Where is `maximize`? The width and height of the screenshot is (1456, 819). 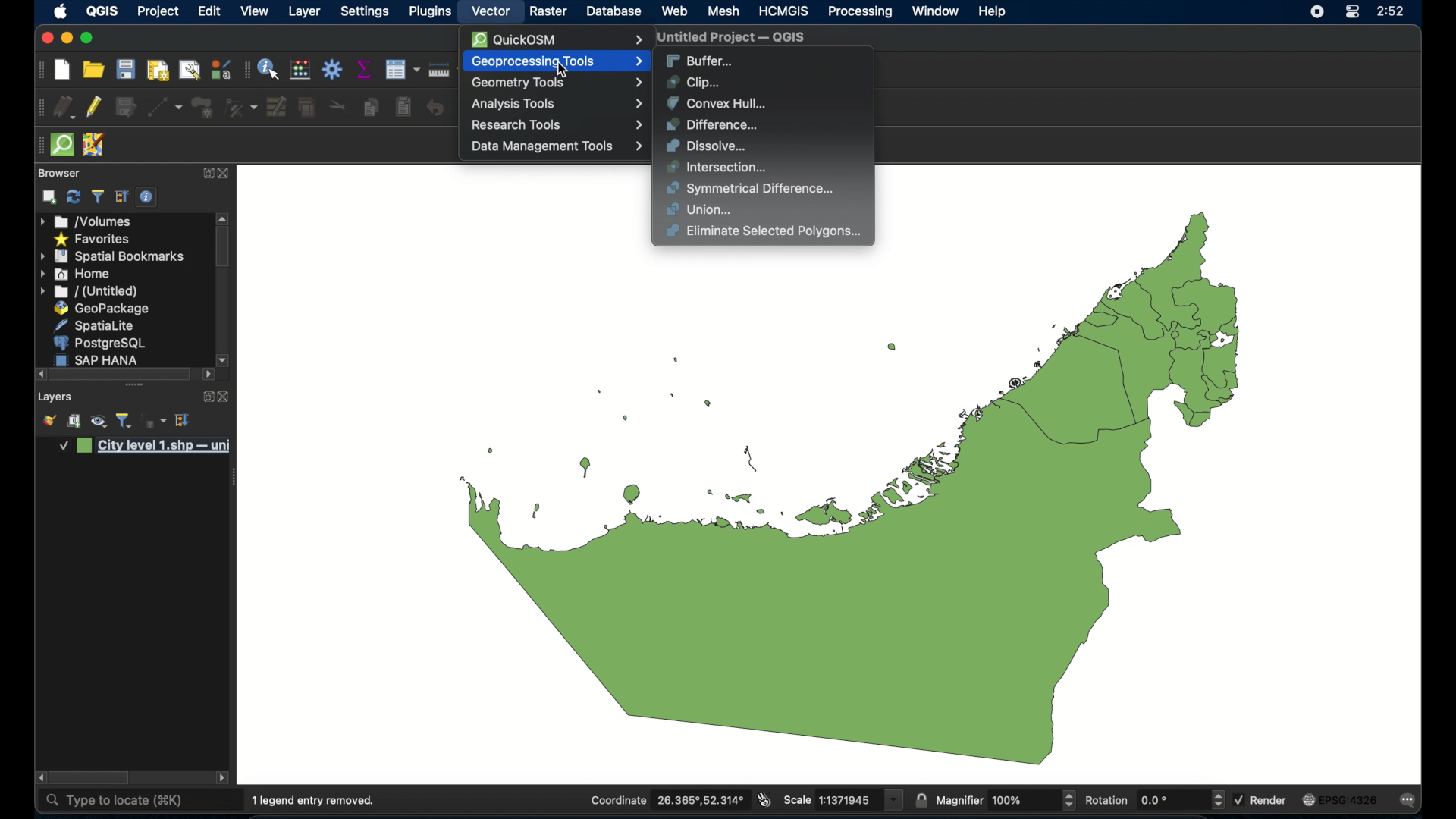 maximize is located at coordinates (88, 39).